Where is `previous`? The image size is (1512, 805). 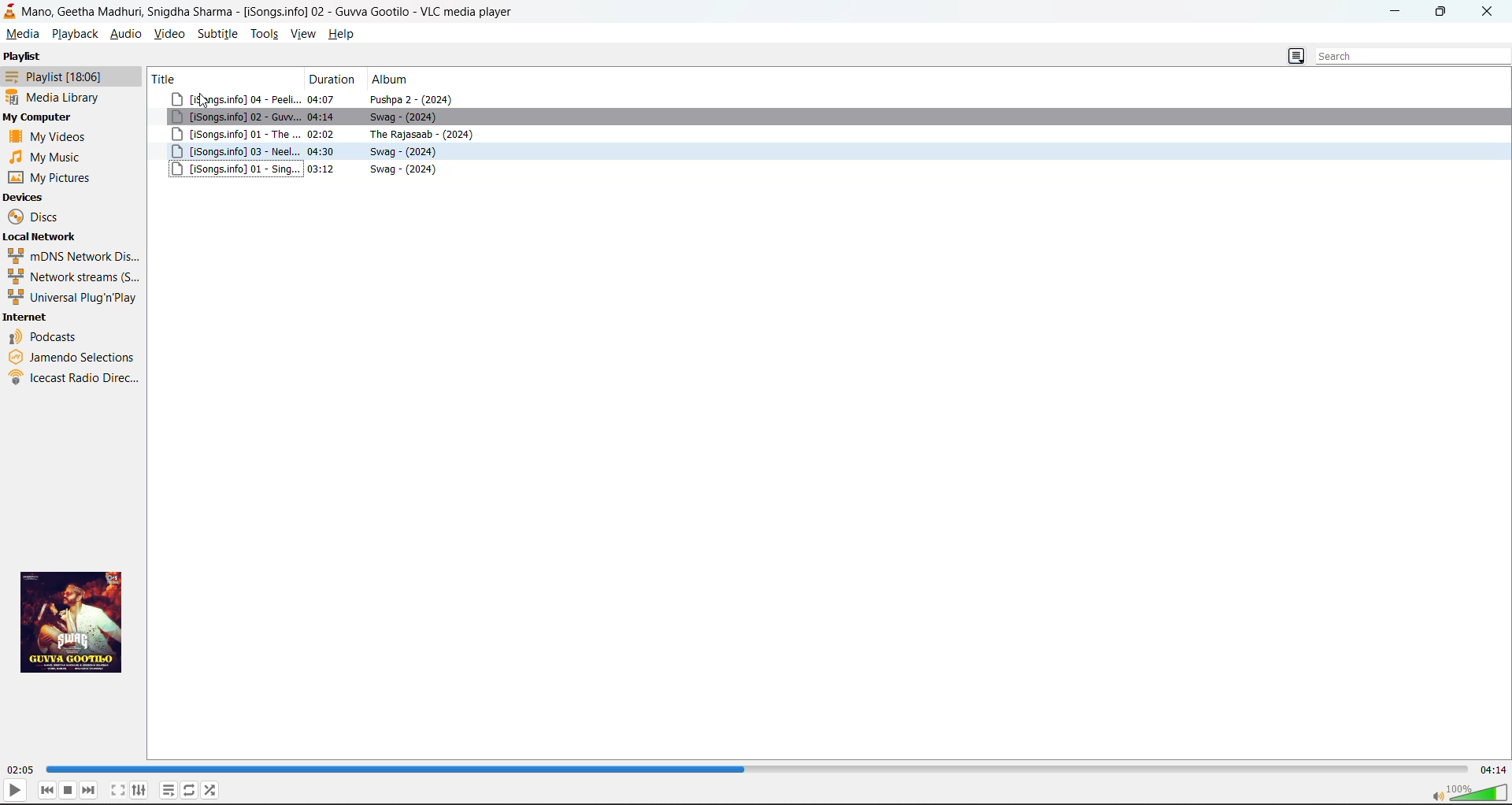
previous is located at coordinates (47, 791).